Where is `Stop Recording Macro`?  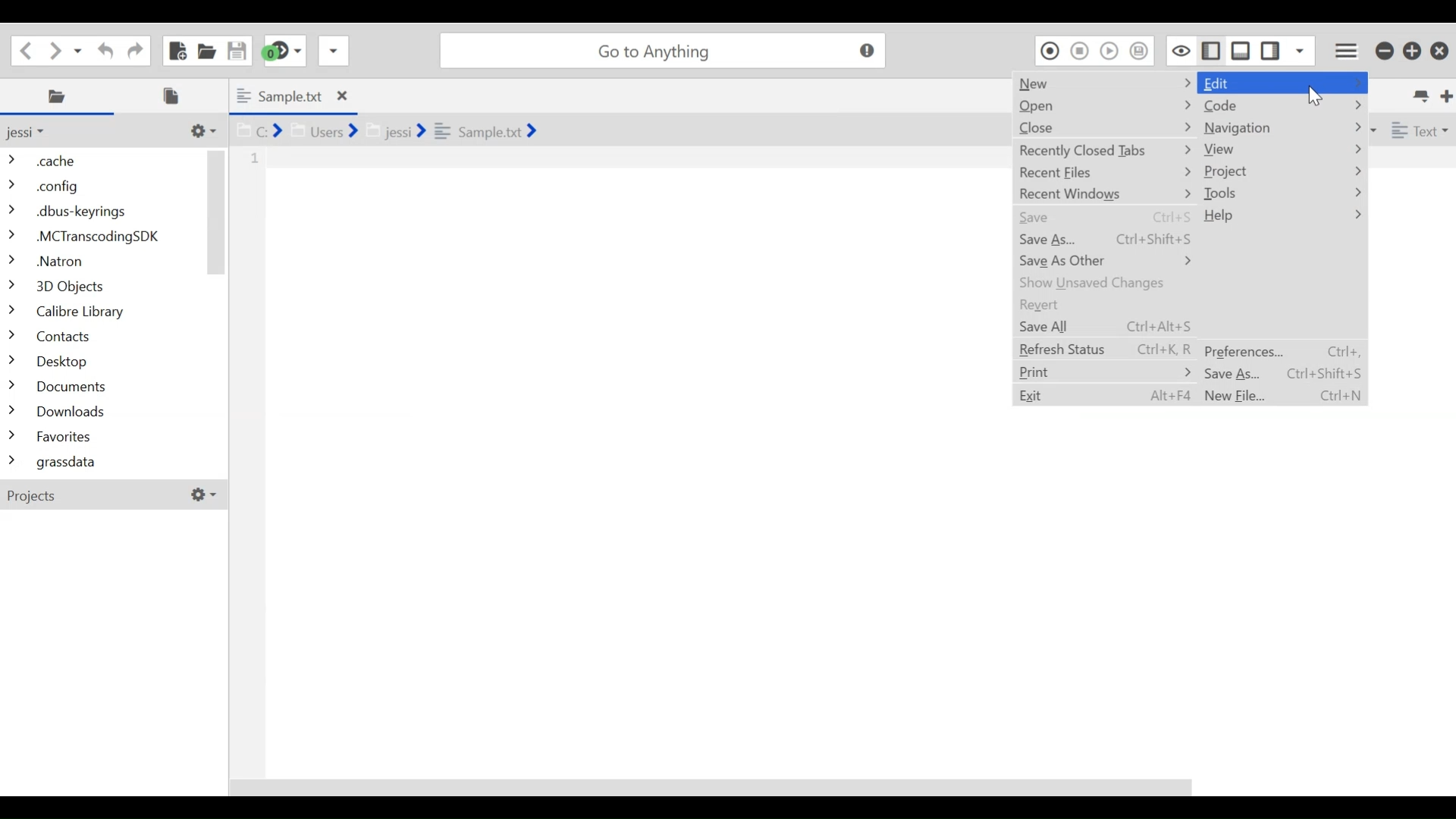 Stop Recording Macro is located at coordinates (1081, 50).